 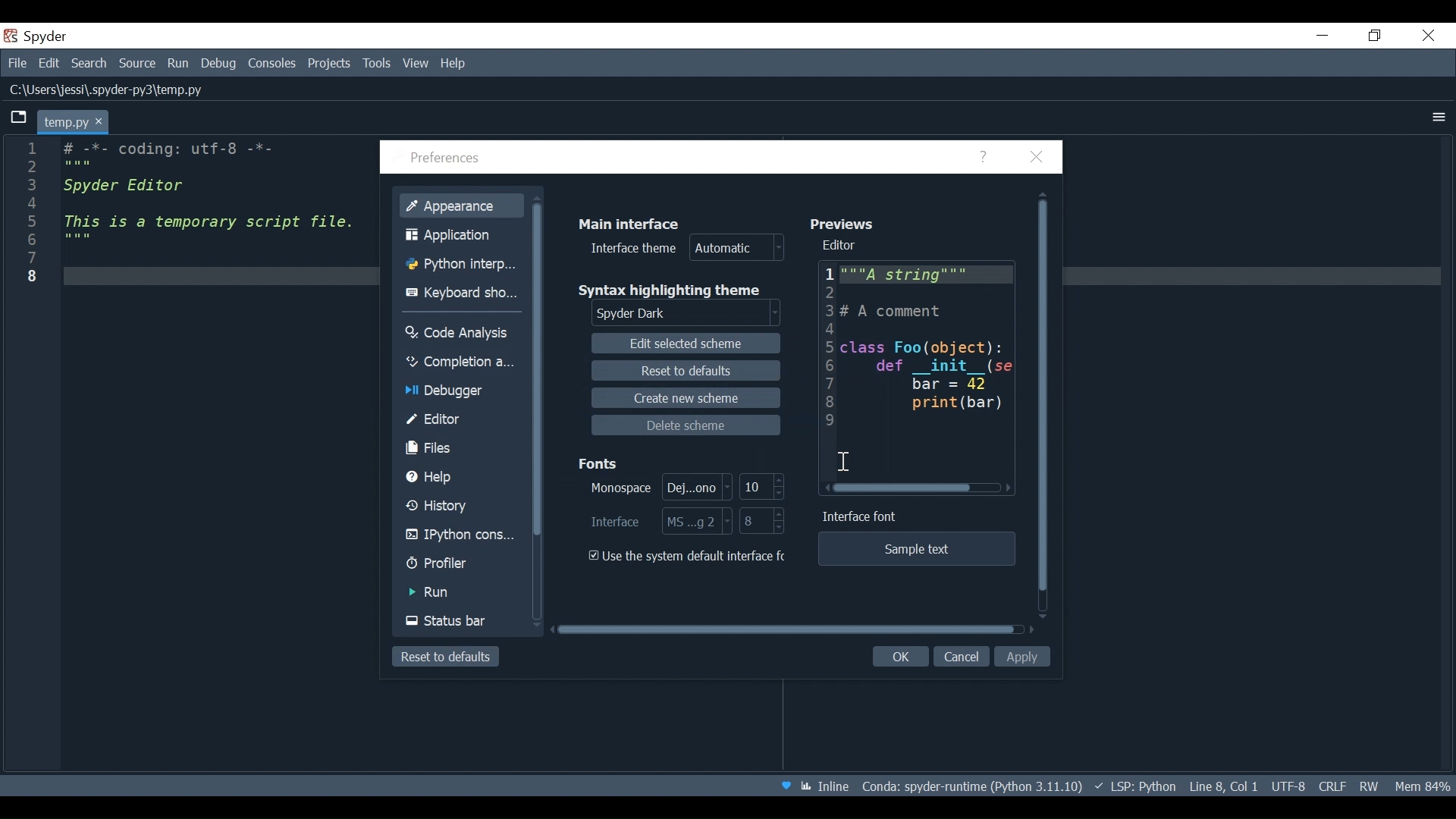 I want to click on Cancel, so click(x=961, y=657).